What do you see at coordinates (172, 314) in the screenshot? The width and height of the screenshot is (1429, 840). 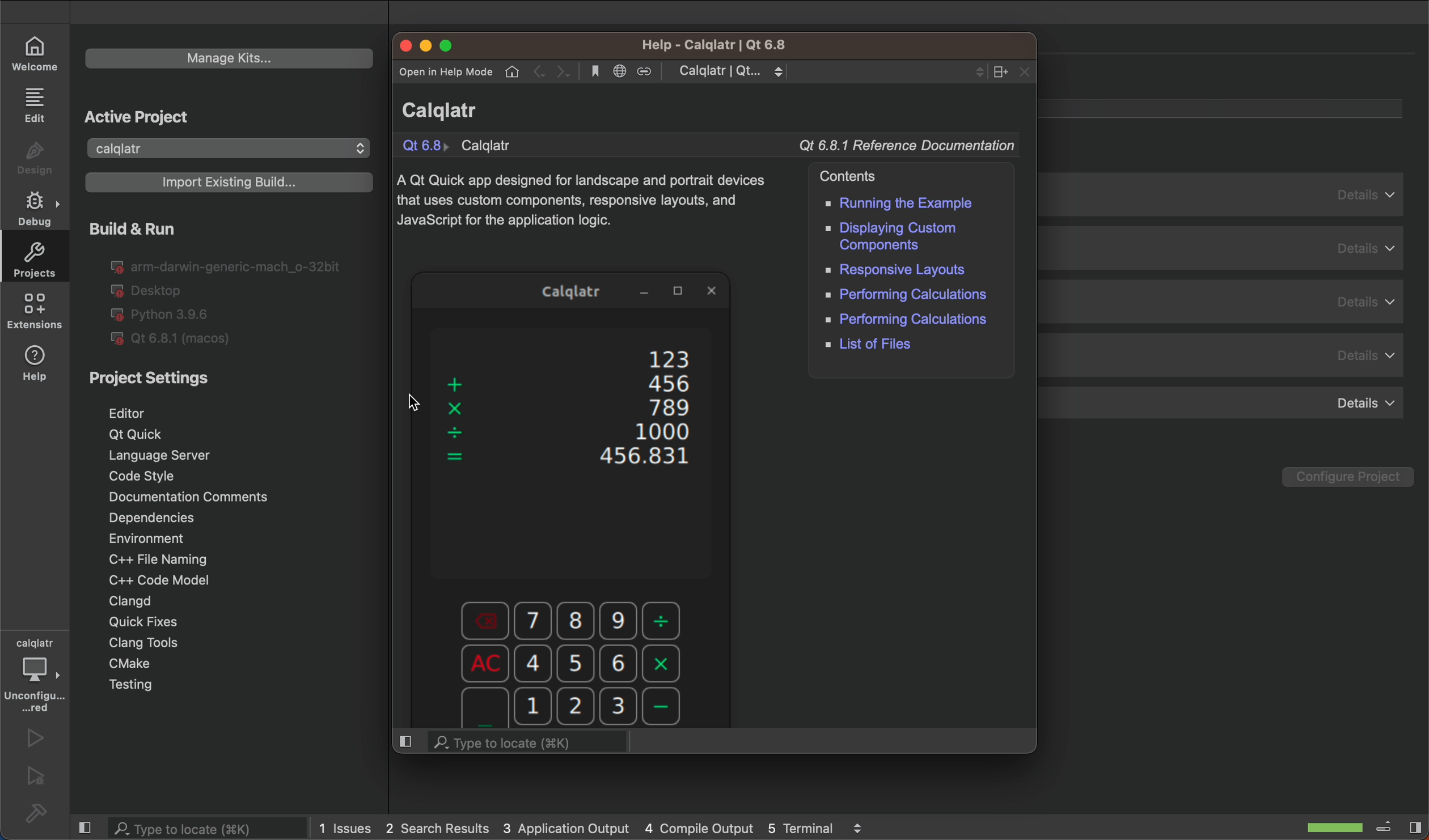 I see `python 3.96` at bounding box center [172, 314].